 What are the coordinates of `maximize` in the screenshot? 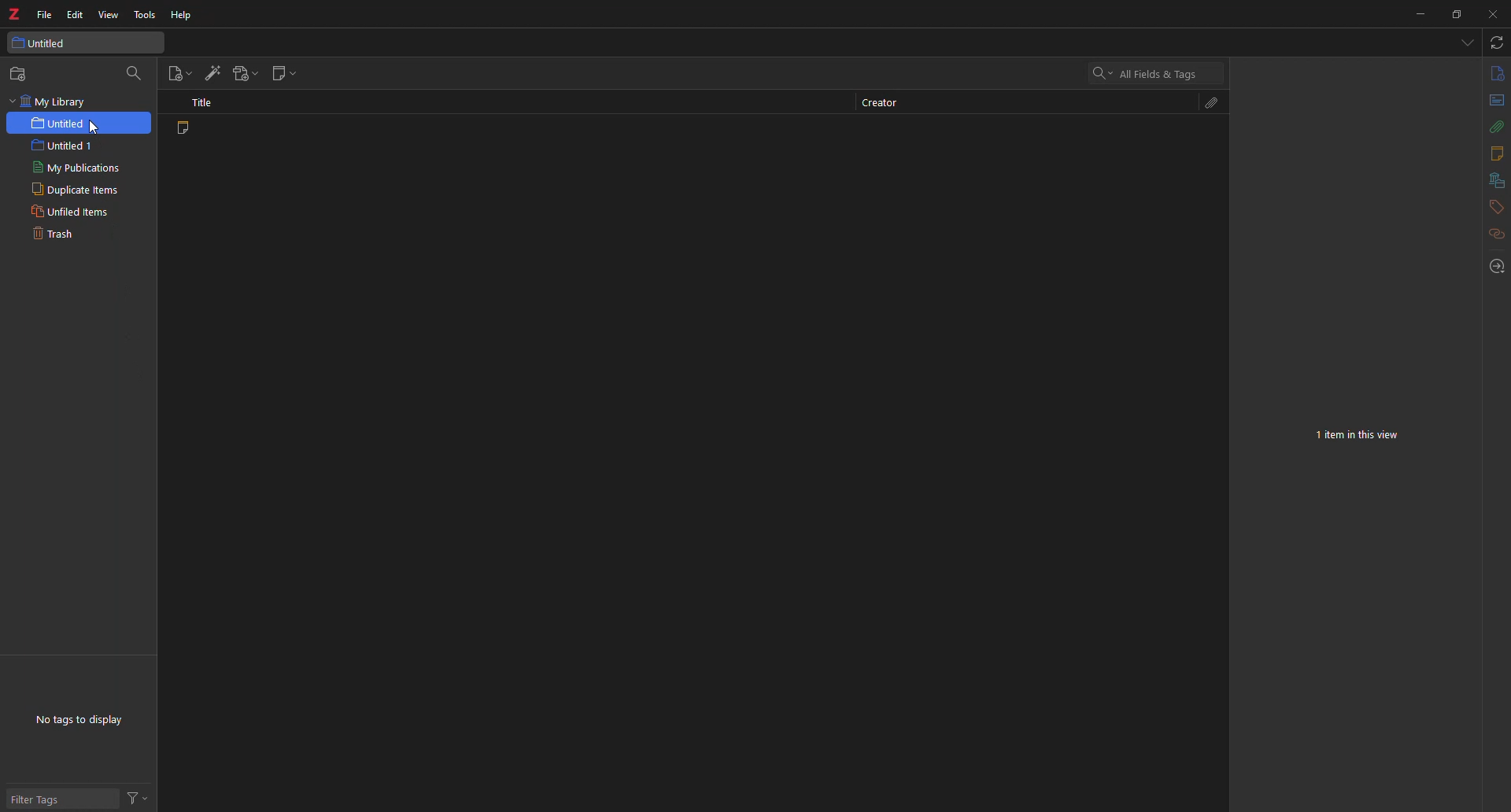 It's located at (1454, 18).